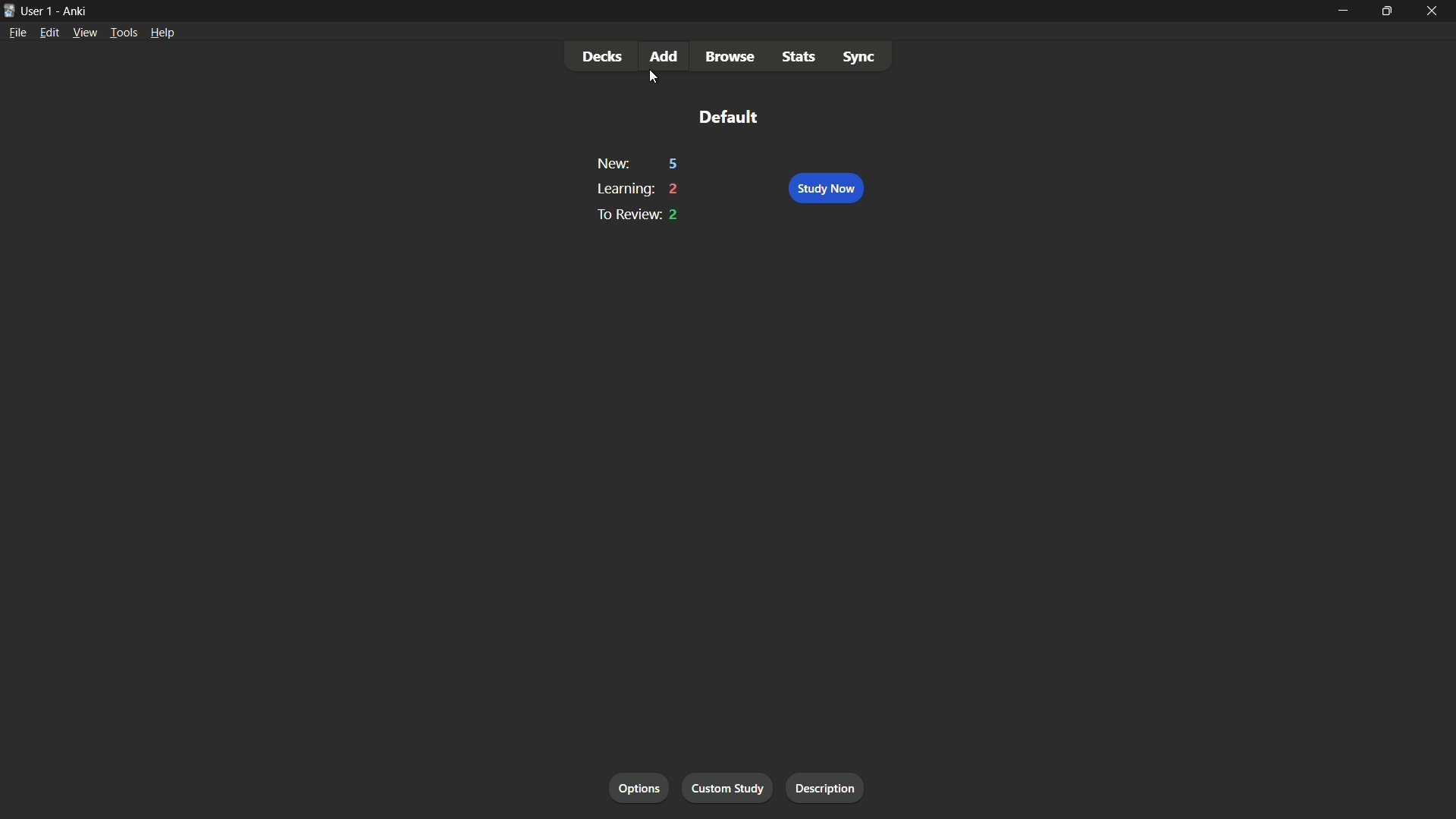  What do you see at coordinates (825, 788) in the screenshot?
I see `description` at bounding box center [825, 788].